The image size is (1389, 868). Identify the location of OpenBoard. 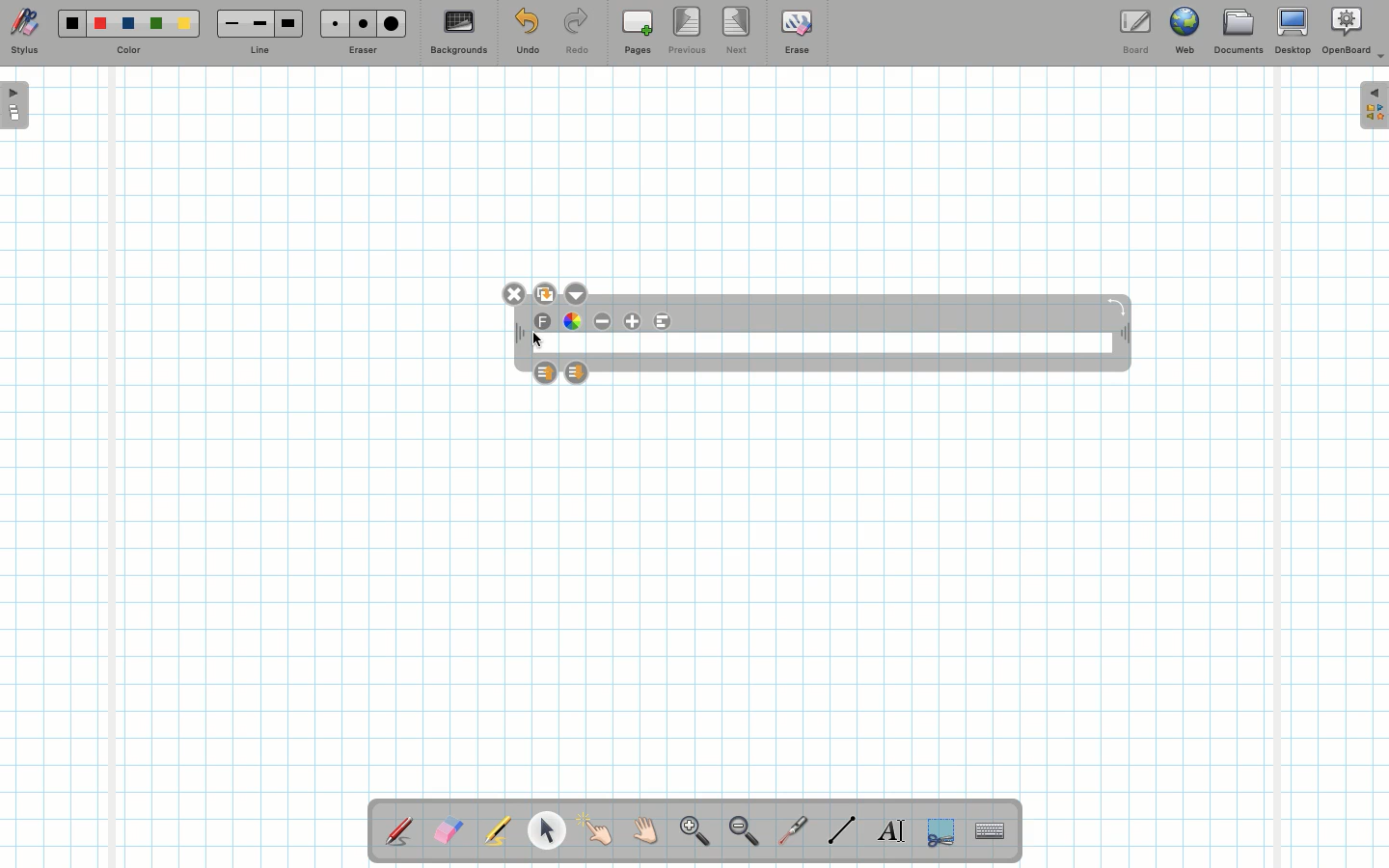
(1353, 31).